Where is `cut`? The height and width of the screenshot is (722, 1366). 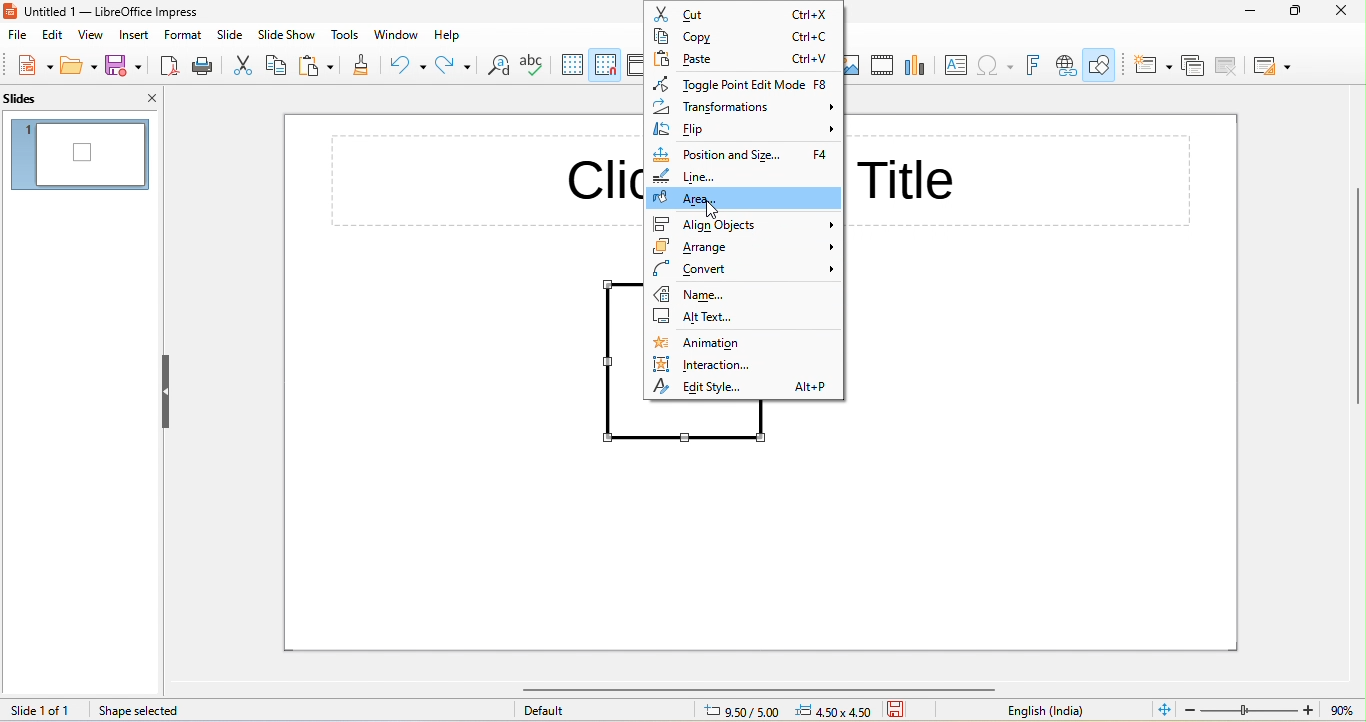 cut is located at coordinates (242, 64).